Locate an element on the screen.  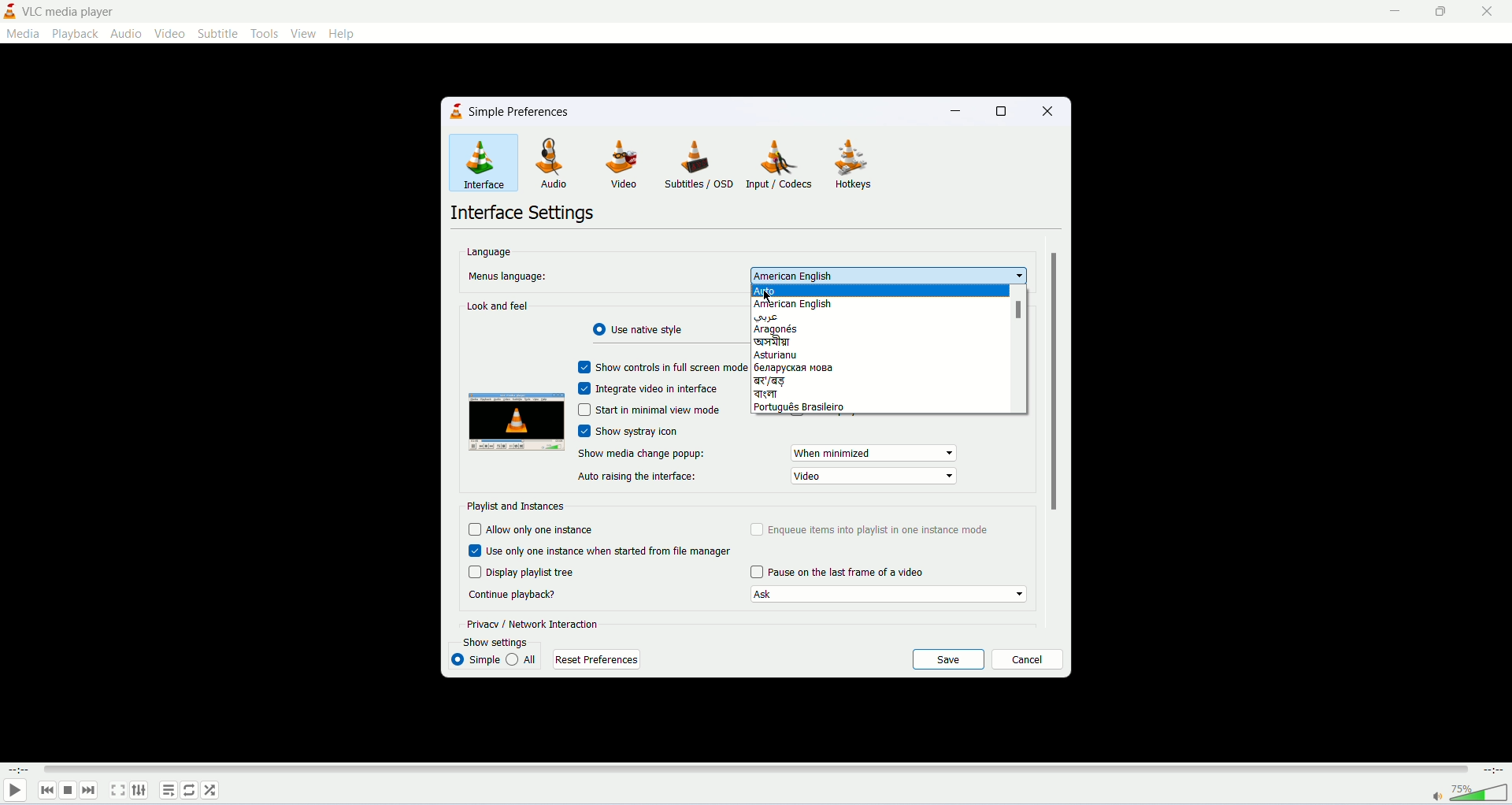
language is located at coordinates (490, 252).